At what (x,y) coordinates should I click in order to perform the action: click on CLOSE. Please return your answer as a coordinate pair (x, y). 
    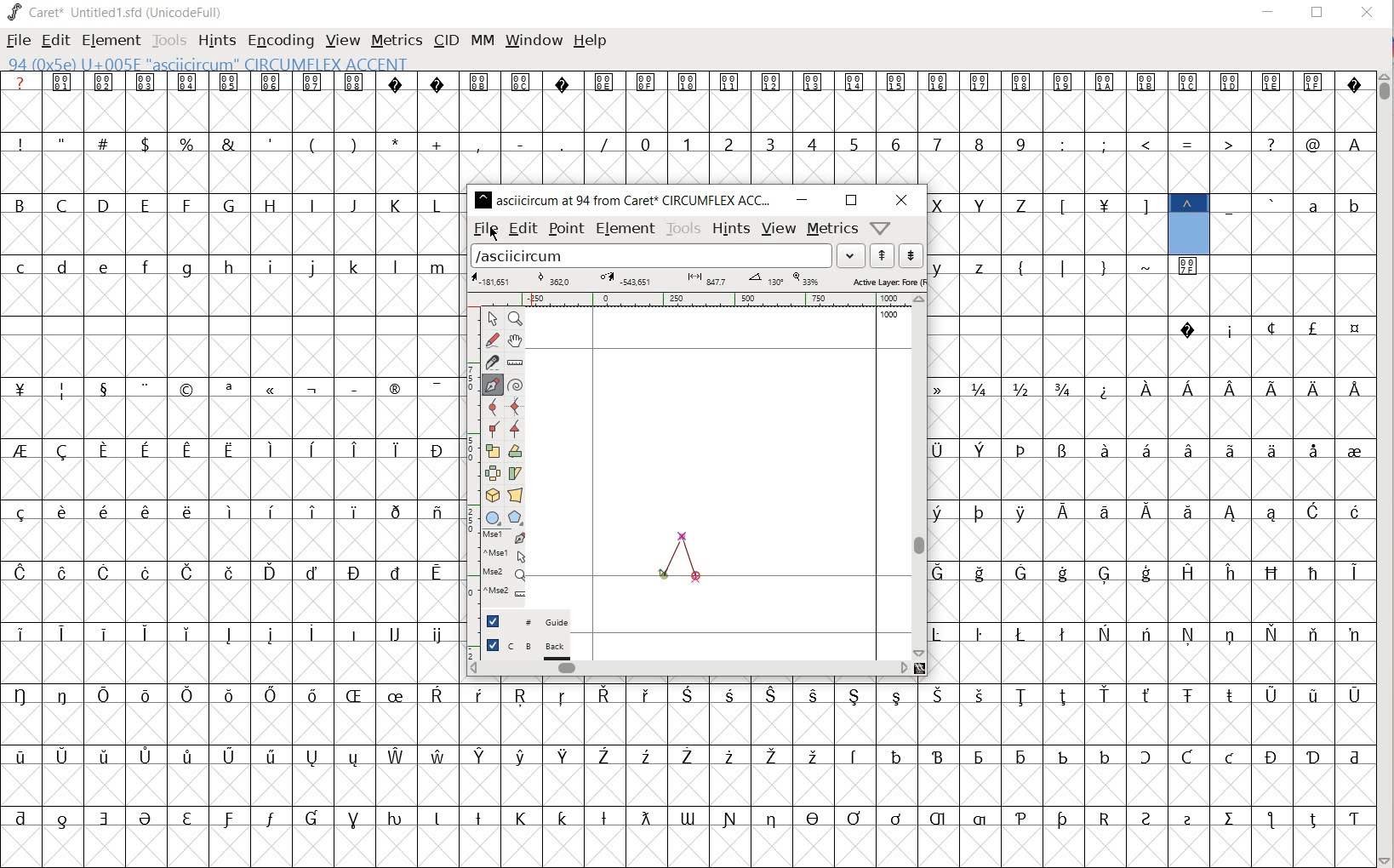
    Looking at the image, I should click on (1365, 14).